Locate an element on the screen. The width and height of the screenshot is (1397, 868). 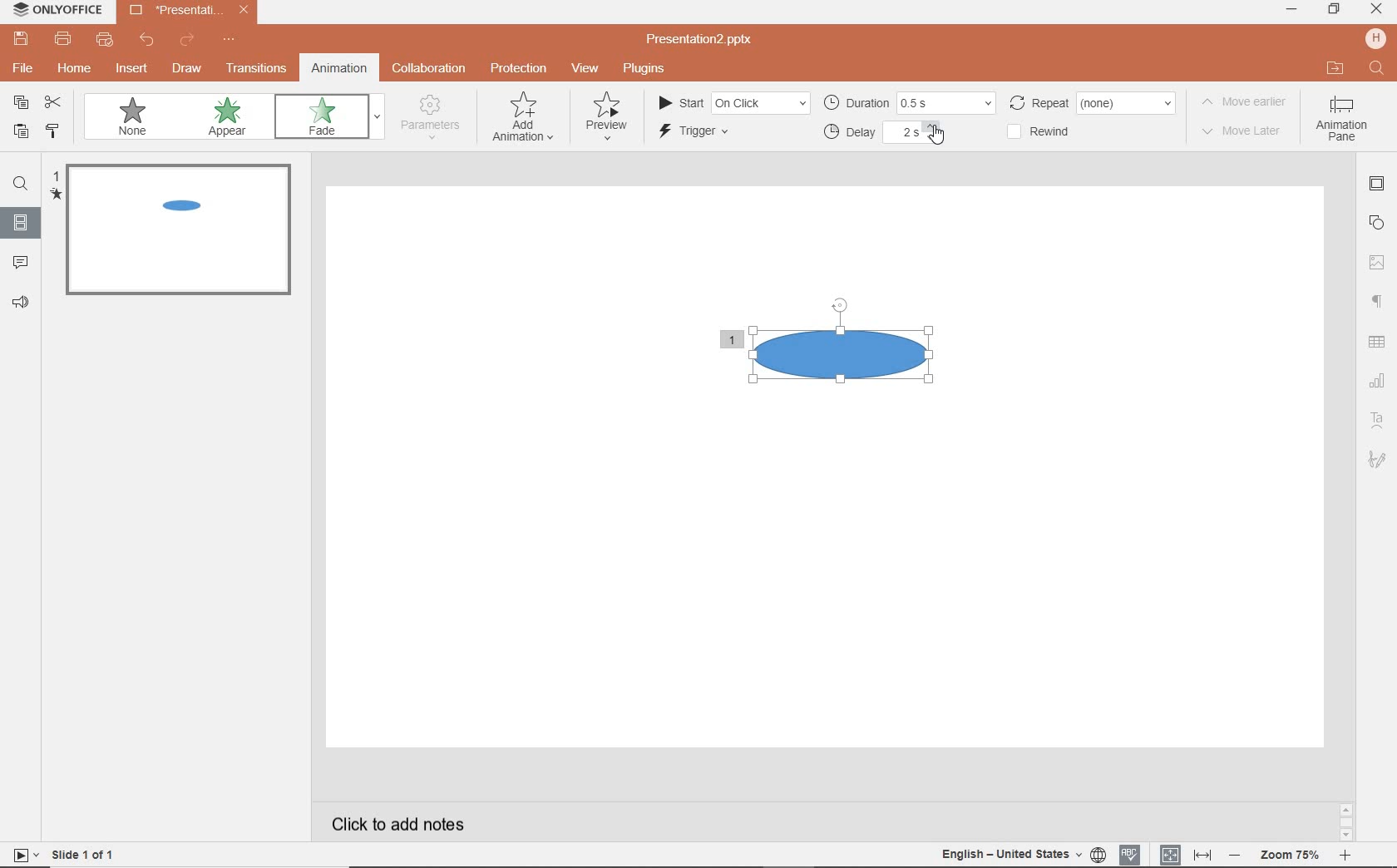
paragraph settings is located at coordinates (1376, 301).